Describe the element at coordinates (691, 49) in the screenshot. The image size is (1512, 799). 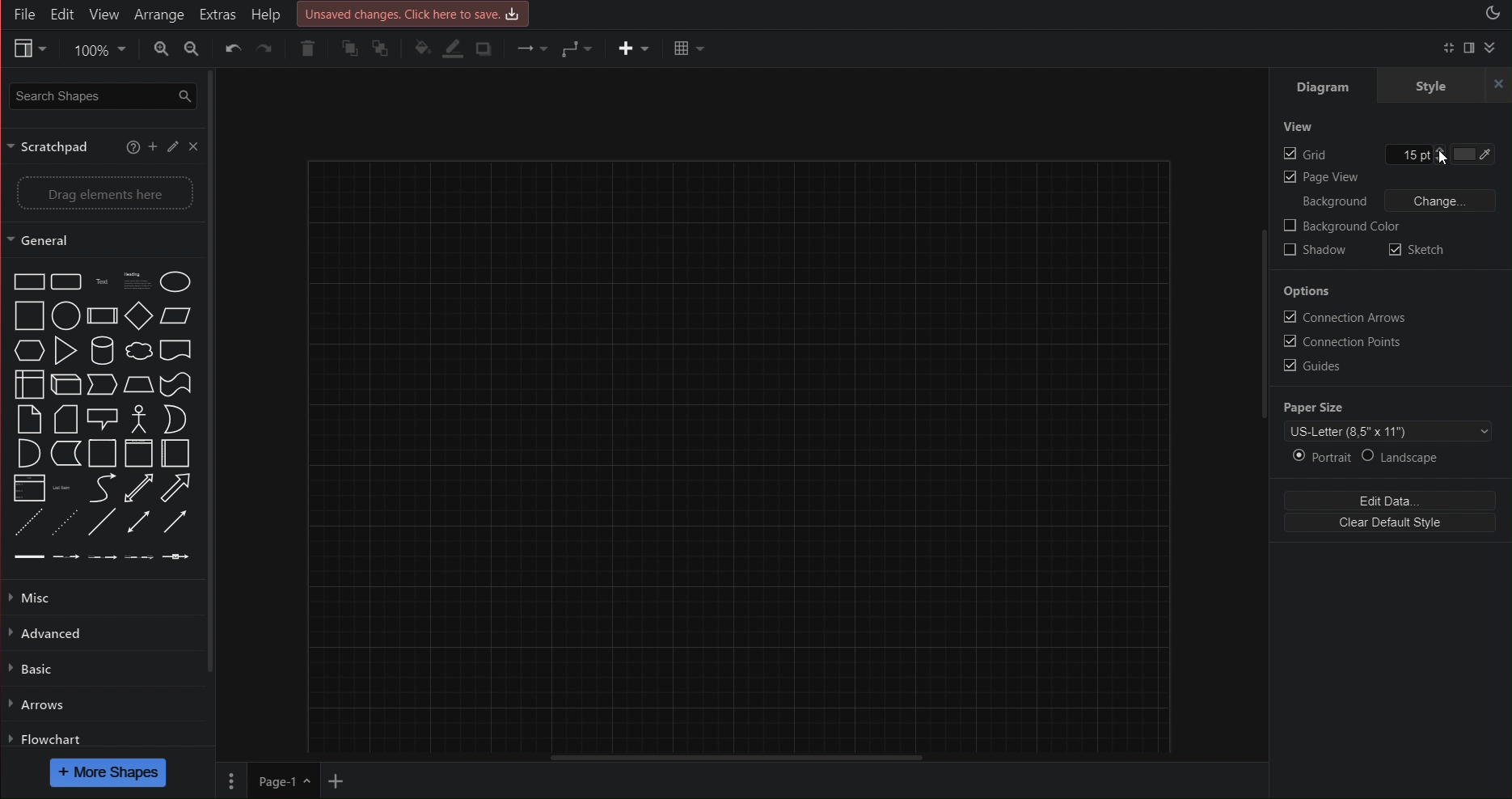
I see `Insert Table` at that location.